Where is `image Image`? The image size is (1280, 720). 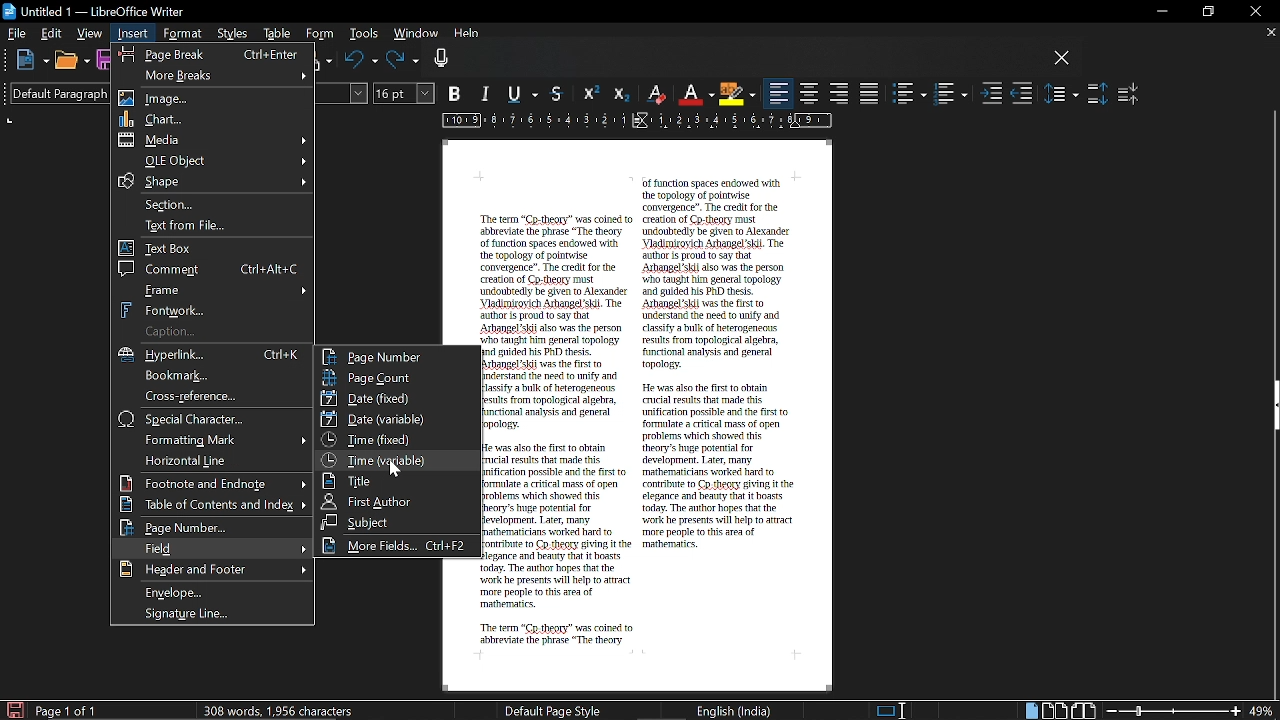
image Image is located at coordinates (215, 98).